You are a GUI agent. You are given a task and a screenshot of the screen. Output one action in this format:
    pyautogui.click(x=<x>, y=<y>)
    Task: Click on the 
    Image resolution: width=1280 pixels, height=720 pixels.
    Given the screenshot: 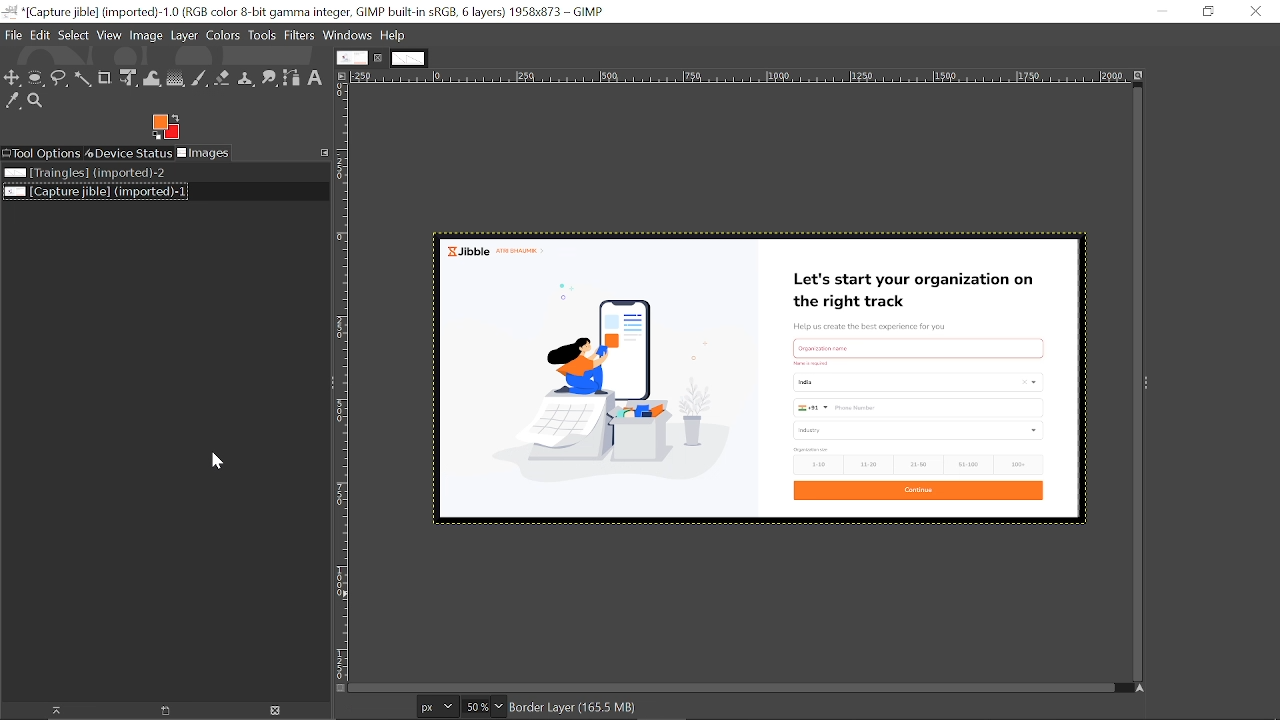 What is the action you would take?
    pyautogui.click(x=917, y=345)
    